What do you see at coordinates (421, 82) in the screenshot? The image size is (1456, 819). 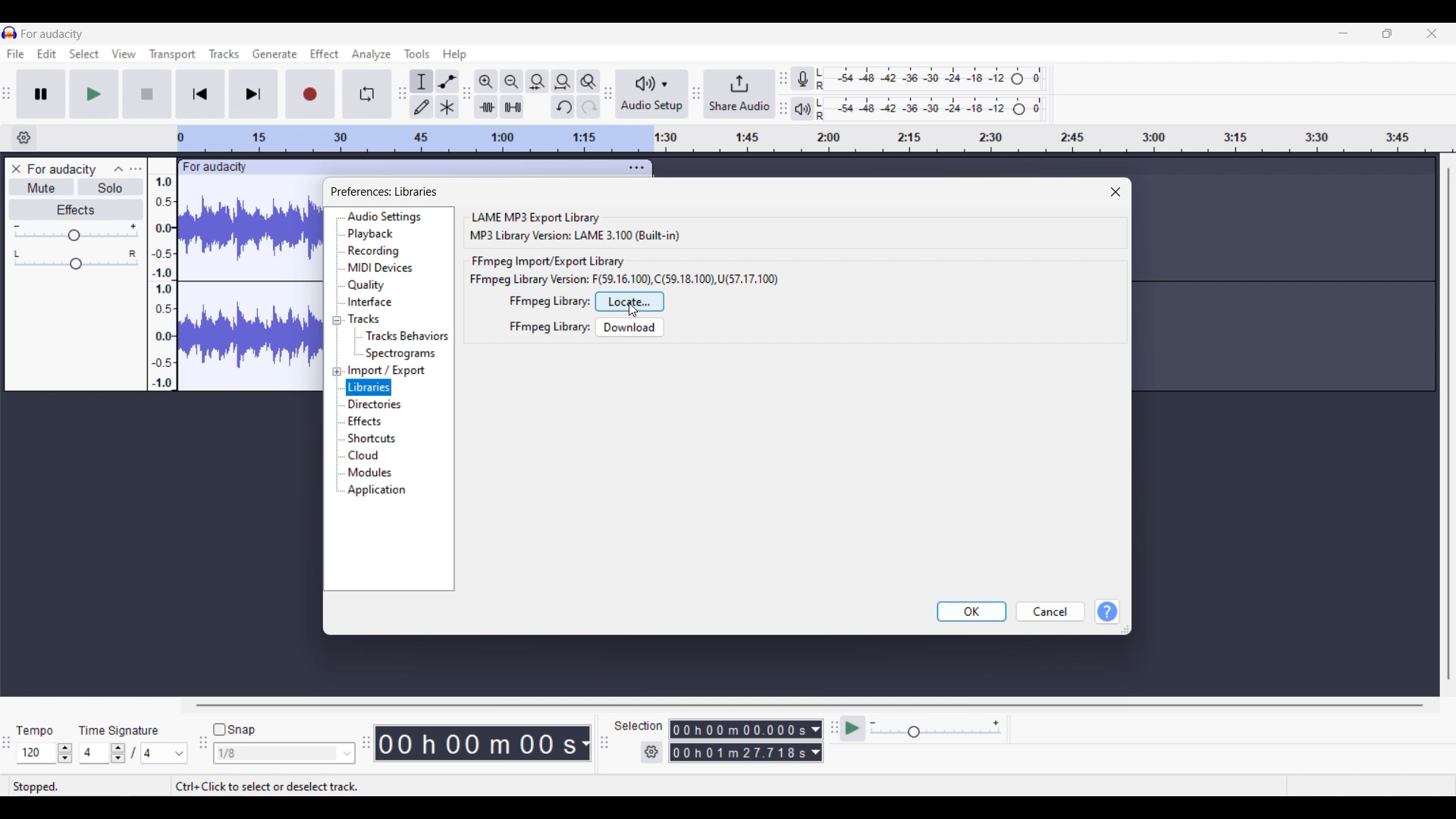 I see `Selection tool` at bounding box center [421, 82].